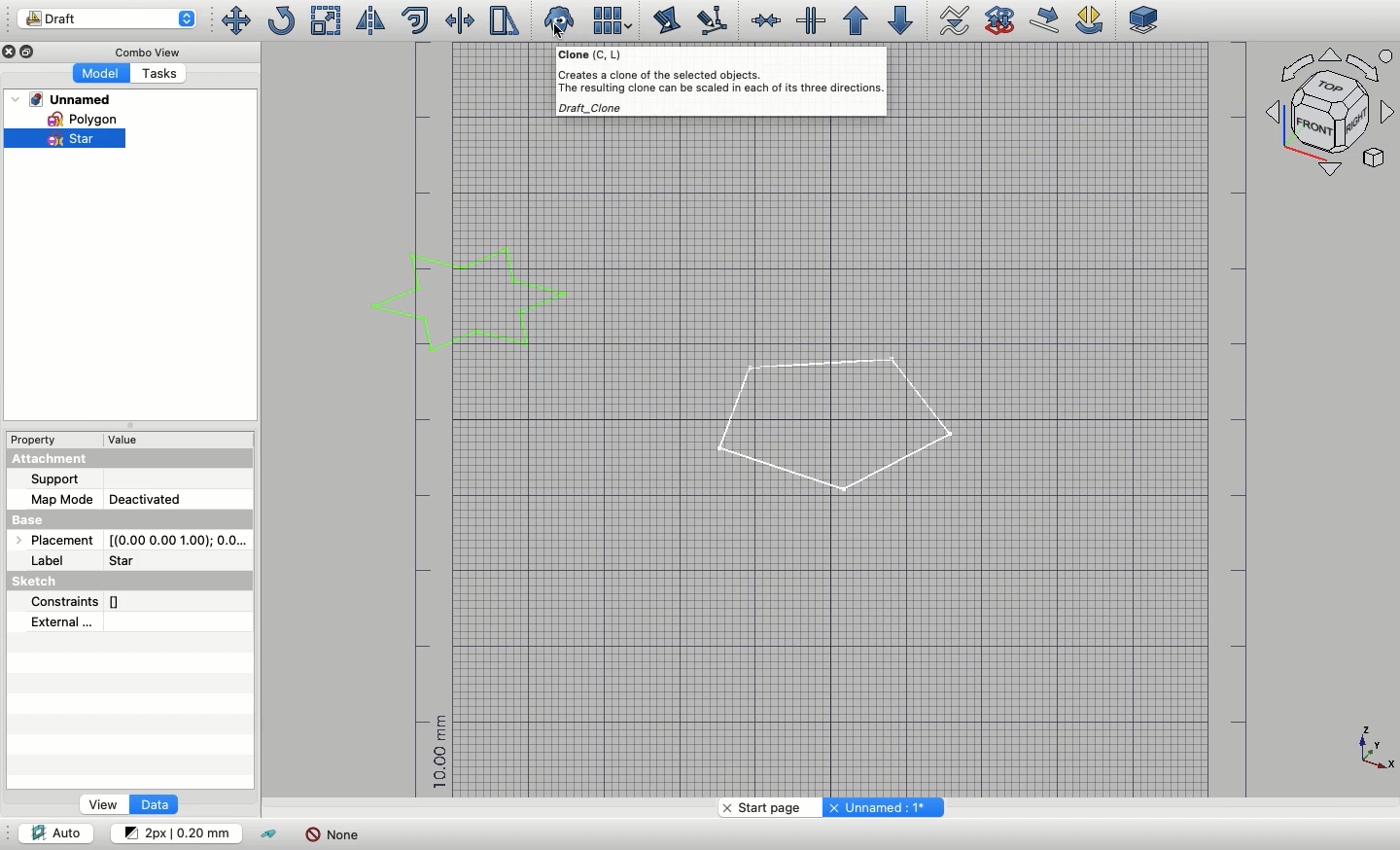 The image size is (1400, 850). Describe the element at coordinates (1145, 19) in the screenshot. I see `Plane selector` at that location.